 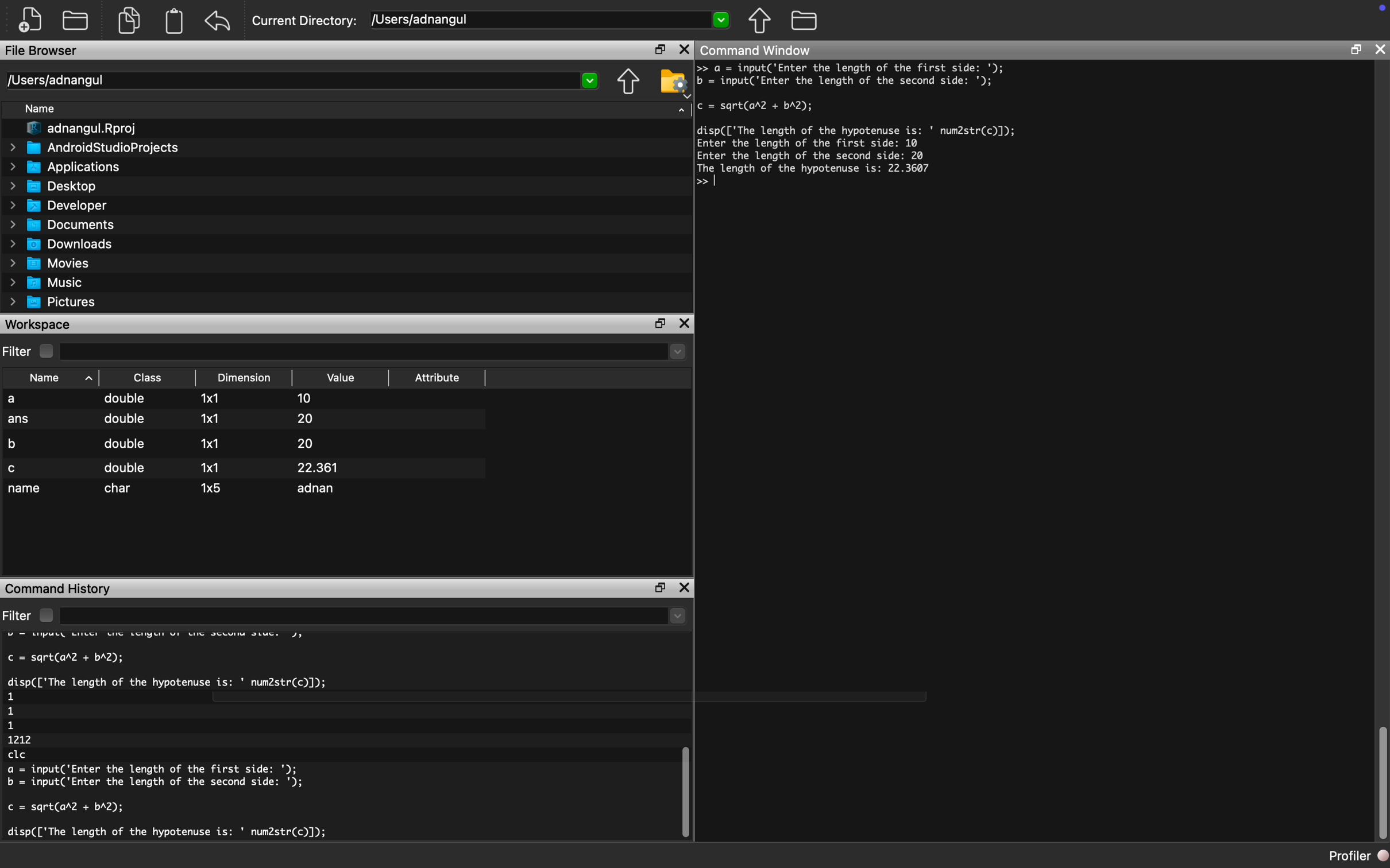 What do you see at coordinates (212, 487) in the screenshot?
I see `1x5` at bounding box center [212, 487].